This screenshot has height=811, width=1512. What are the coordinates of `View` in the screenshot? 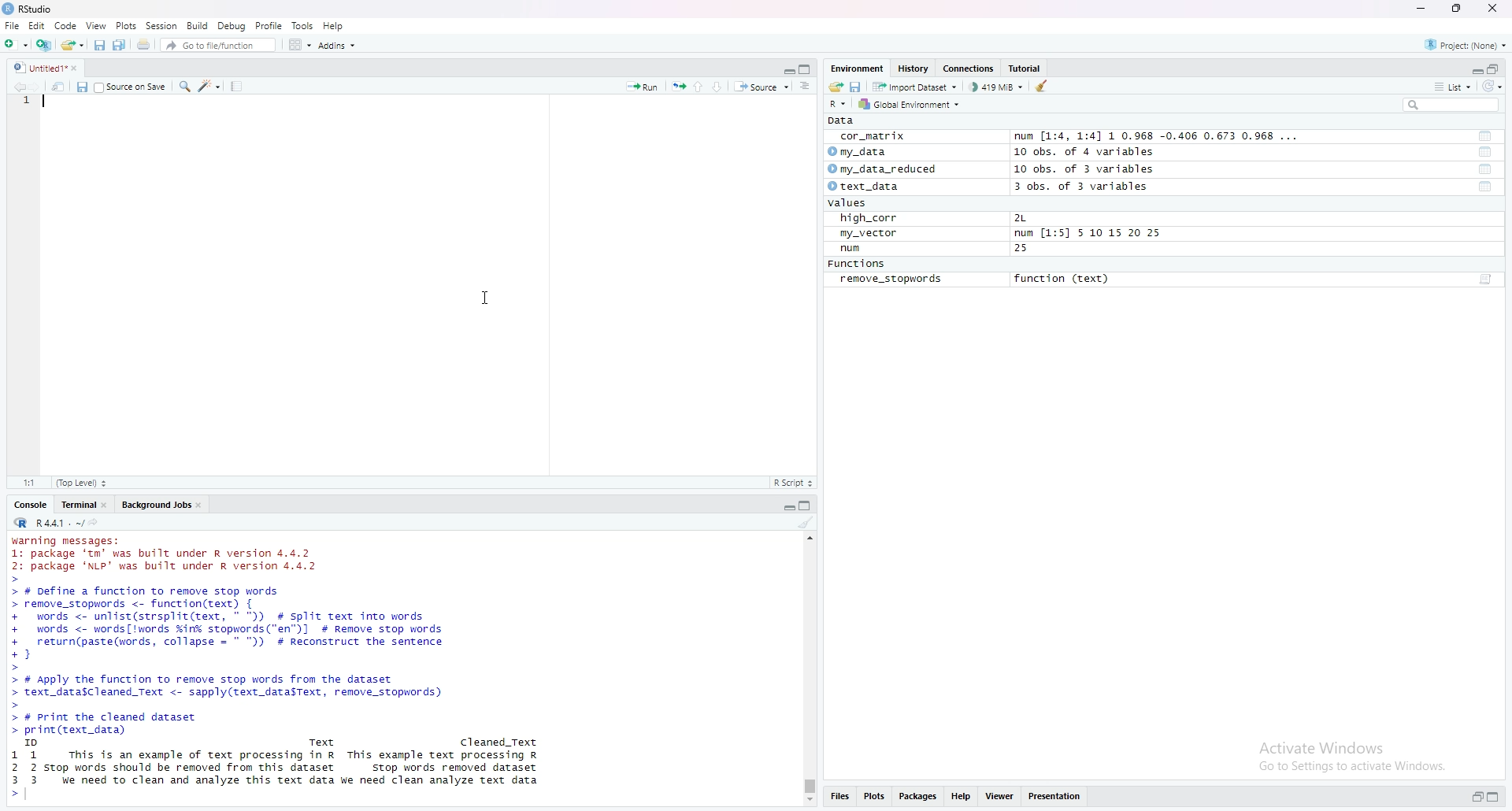 It's located at (96, 25).